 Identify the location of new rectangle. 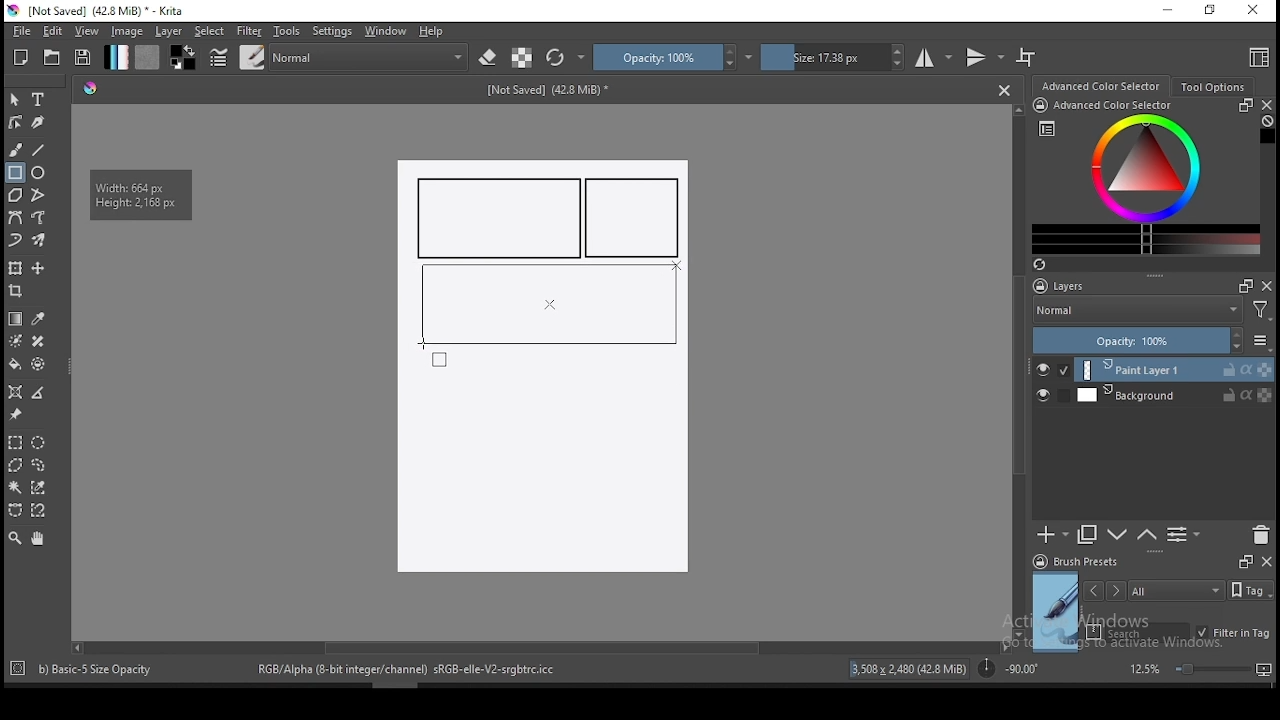
(636, 219).